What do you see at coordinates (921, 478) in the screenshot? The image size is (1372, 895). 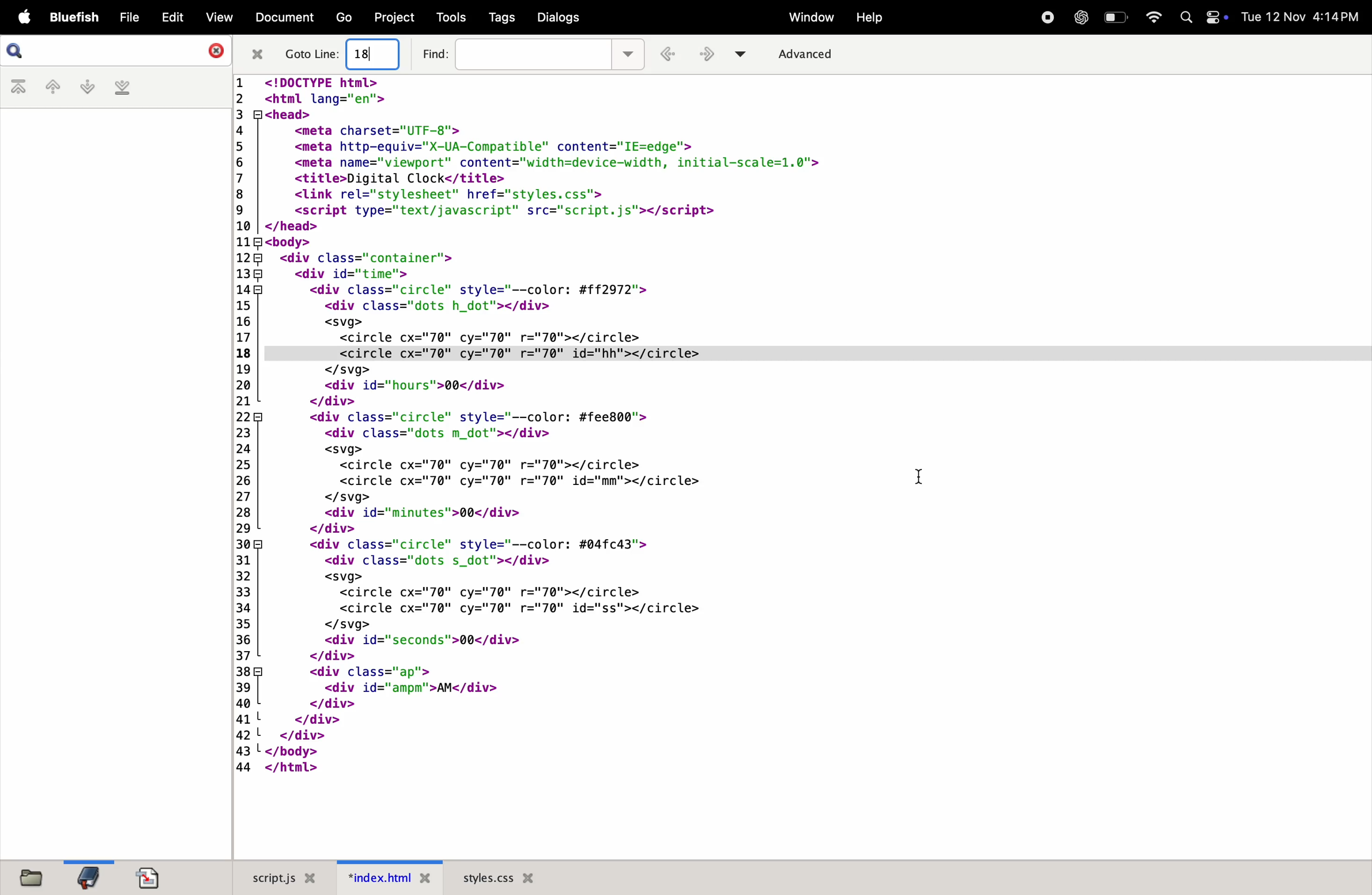 I see `cursor` at bounding box center [921, 478].